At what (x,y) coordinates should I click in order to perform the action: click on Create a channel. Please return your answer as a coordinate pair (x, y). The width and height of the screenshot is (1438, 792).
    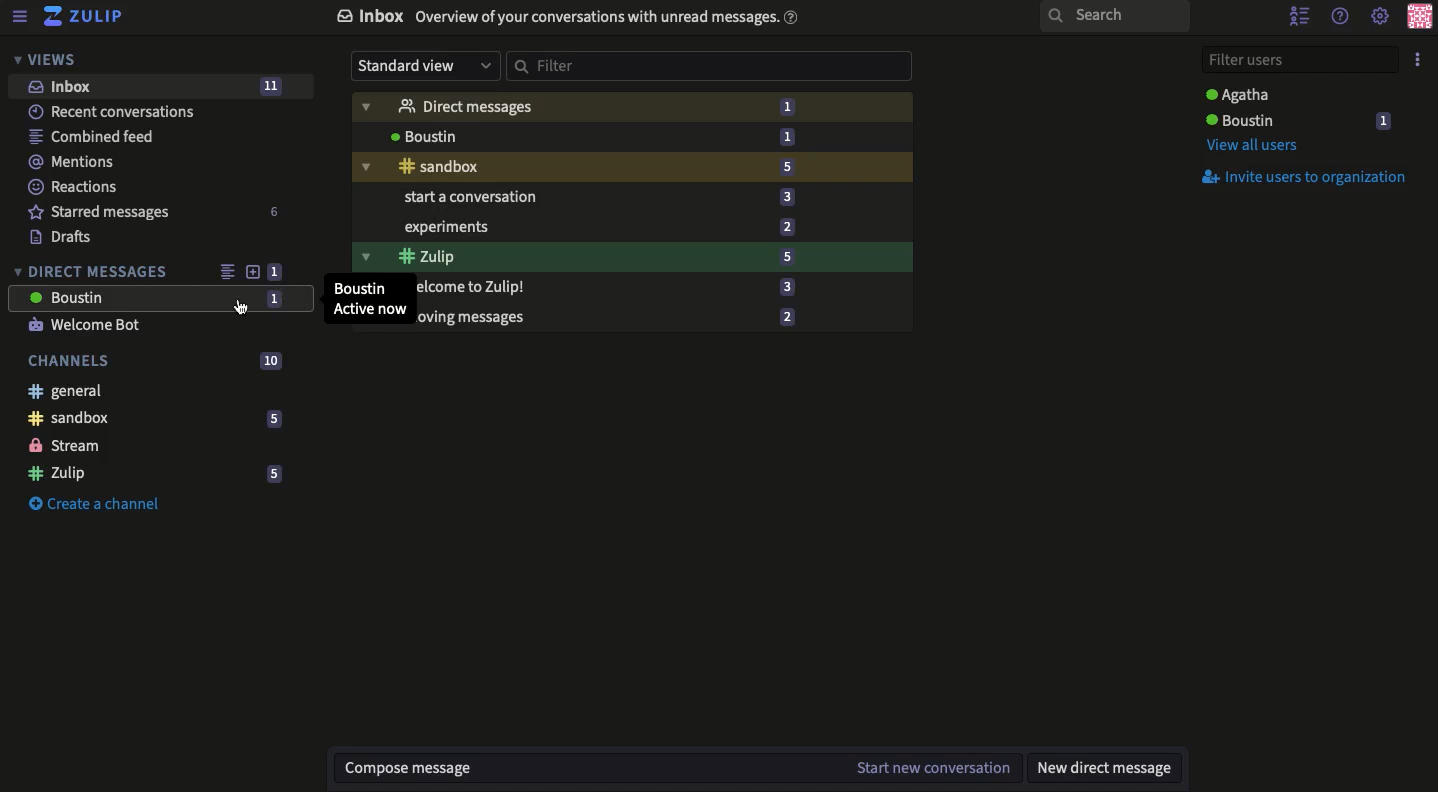
    Looking at the image, I should click on (91, 503).